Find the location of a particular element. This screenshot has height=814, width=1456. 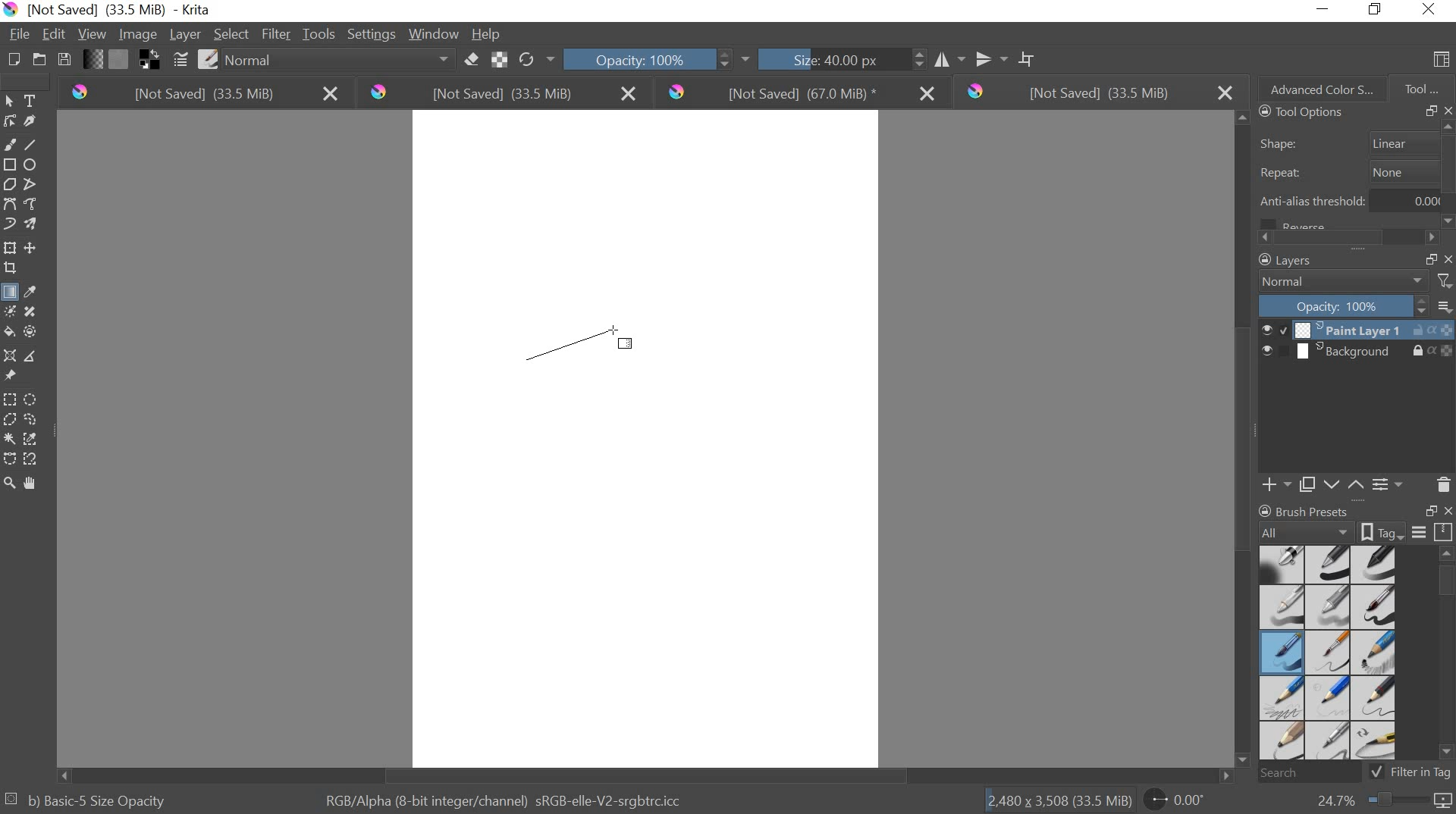

OPEN AN EXISTING DOCUMENT is located at coordinates (36, 61).